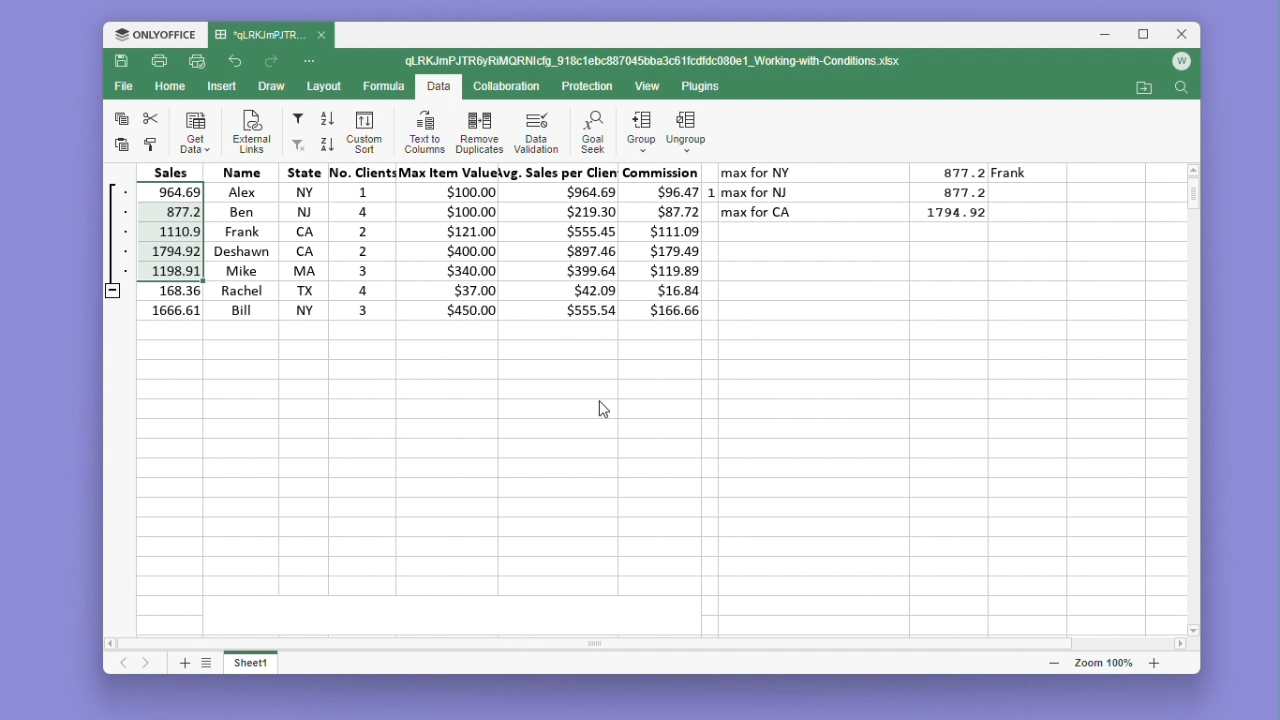 The height and width of the screenshot is (720, 1280). I want to click on custom sort, so click(362, 132).